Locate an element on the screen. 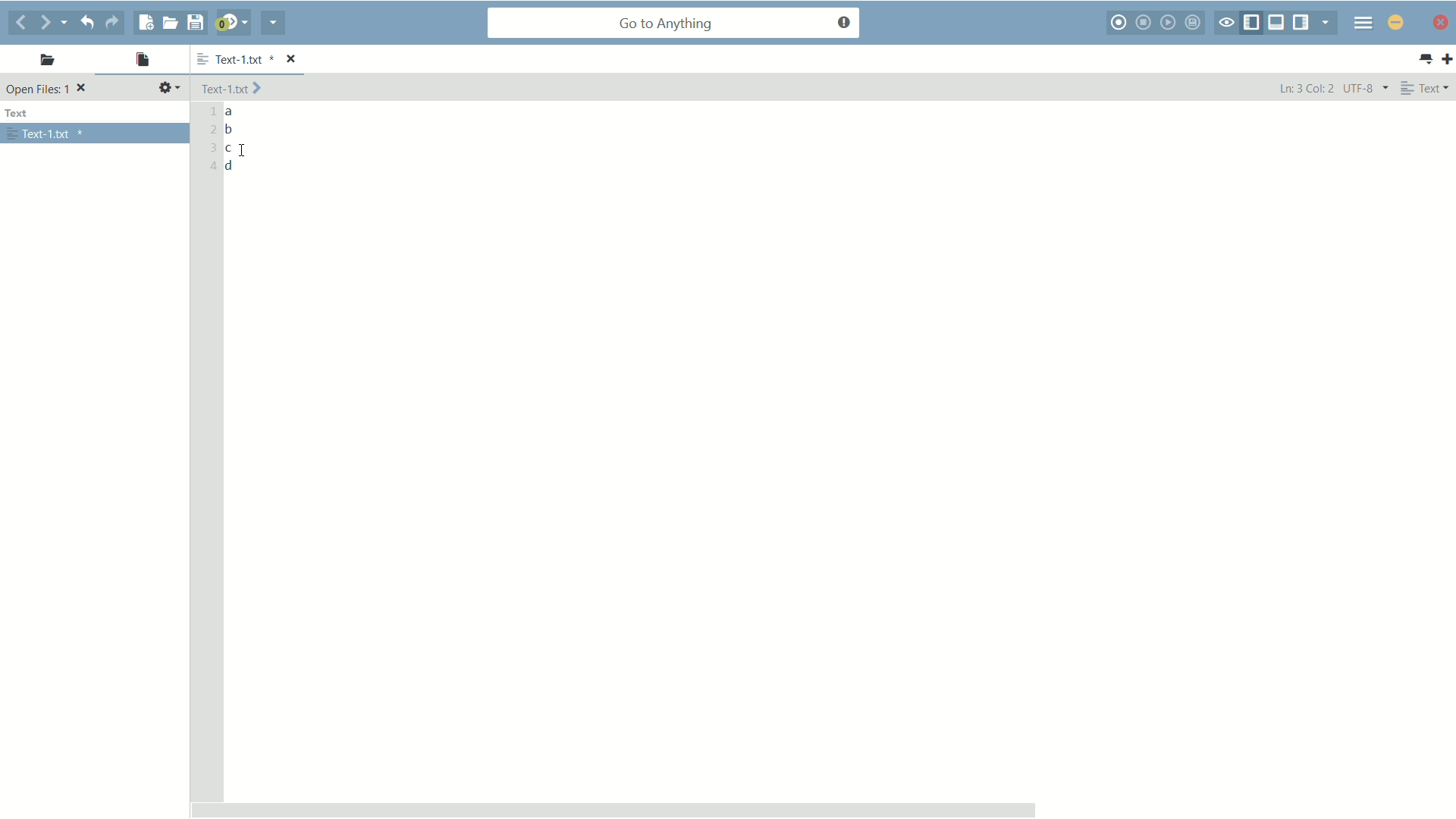  close app is located at coordinates (1395, 21).